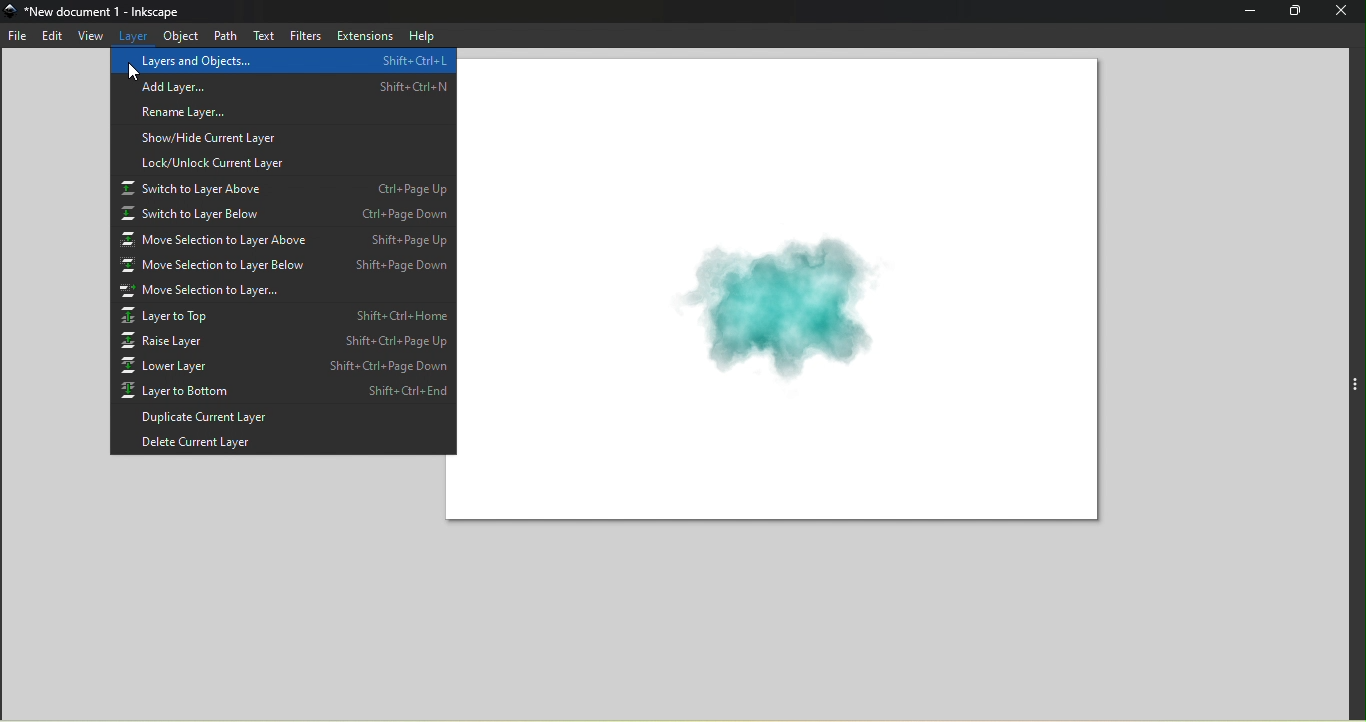  I want to click on Close, so click(1343, 12).